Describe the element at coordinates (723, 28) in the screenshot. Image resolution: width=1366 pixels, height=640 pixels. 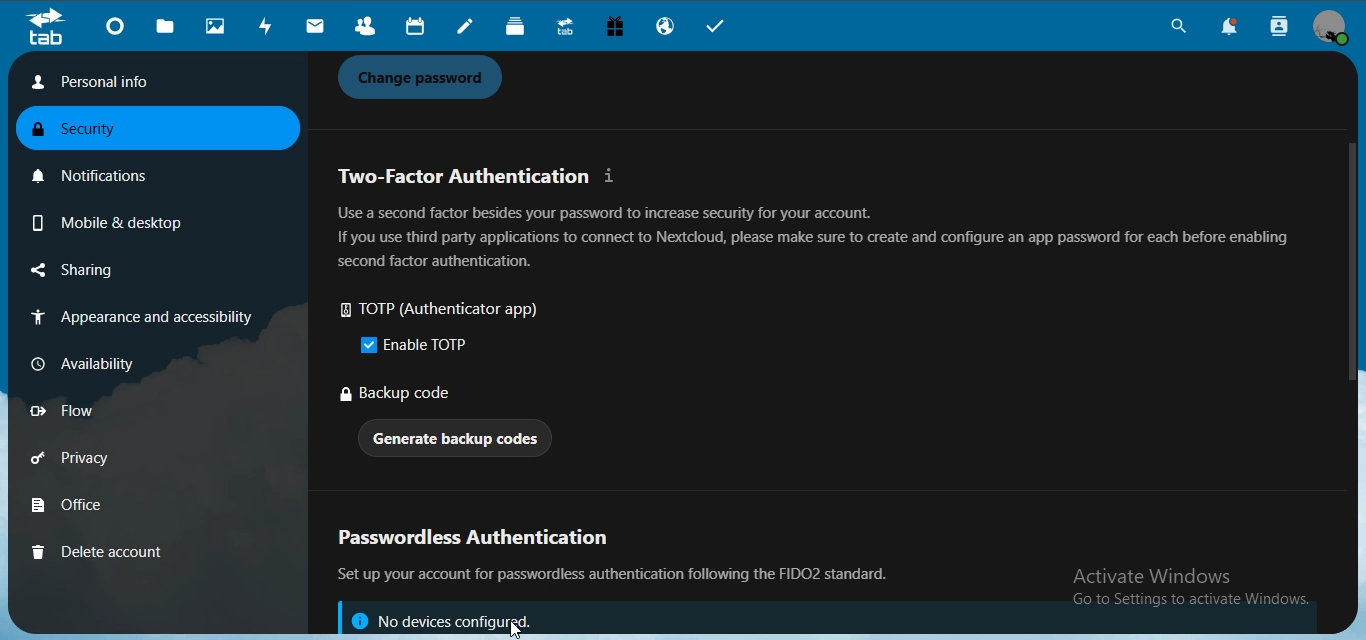
I see `tasks` at that location.